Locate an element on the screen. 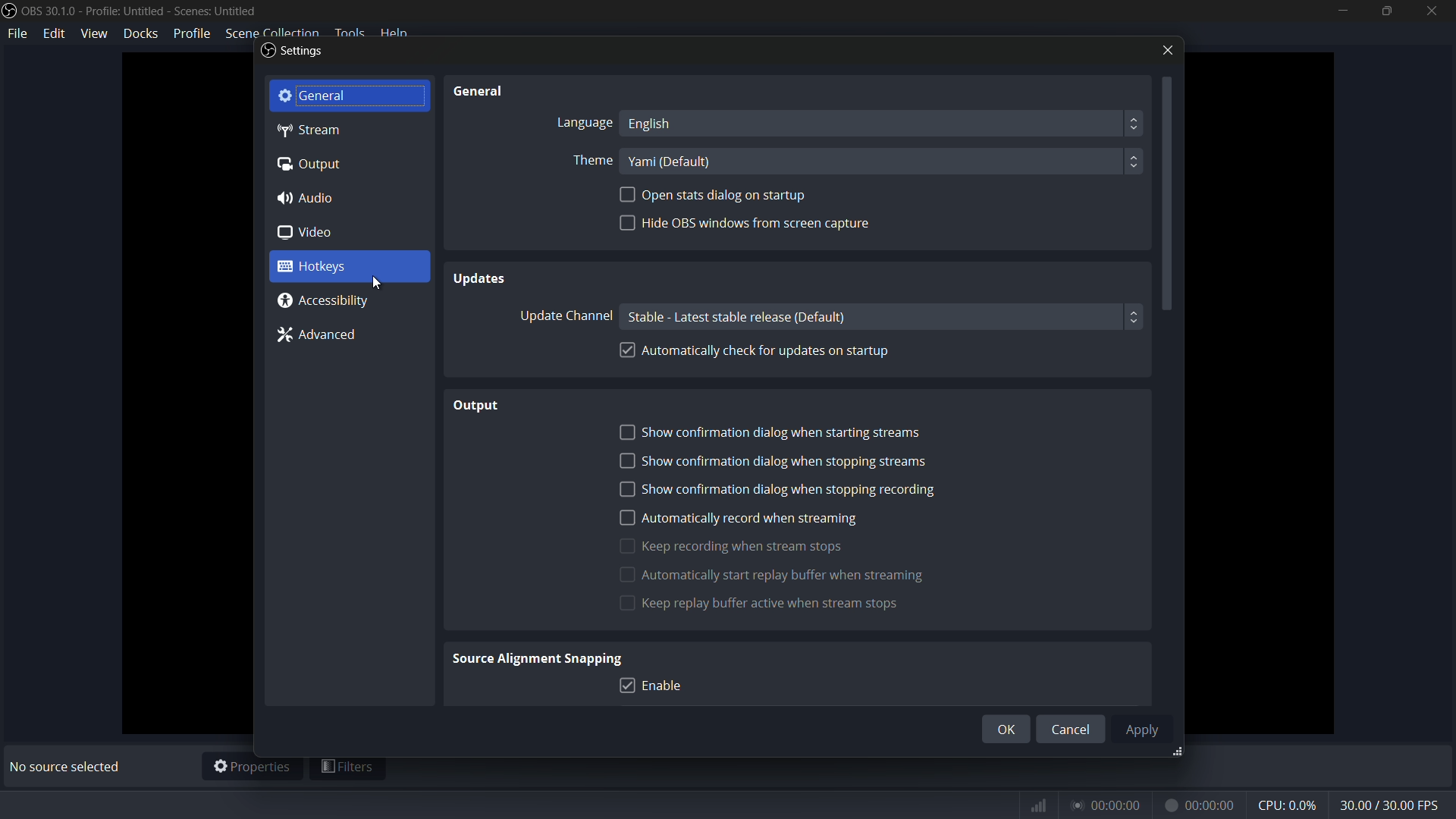 The width and height of the screenshot is (1456, 819). theme is located at coordinates (670, 162).